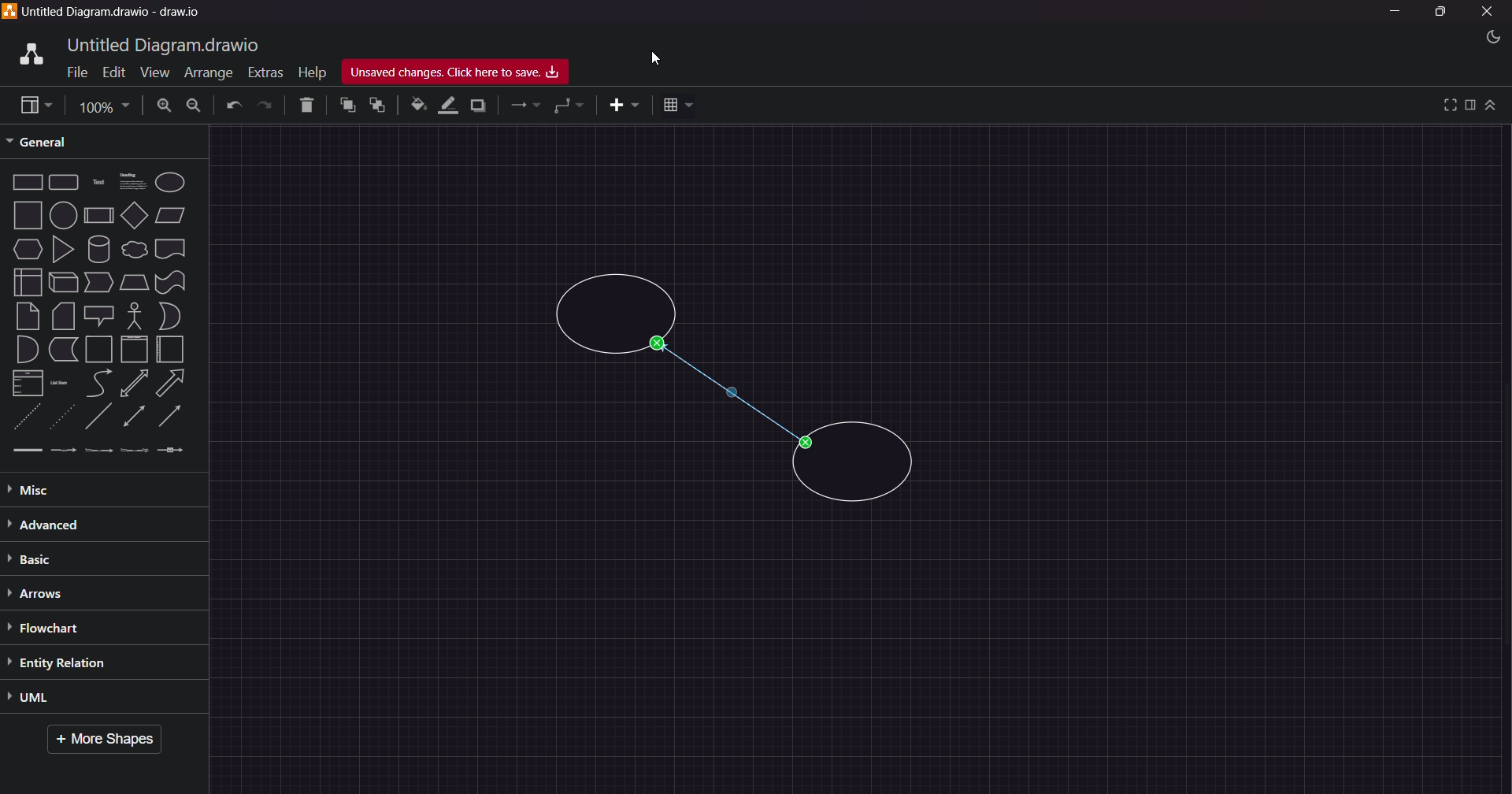 Image resolution: width=1512 pixels, height=794 pixels. I want to click on Basic, so click(43, 559).